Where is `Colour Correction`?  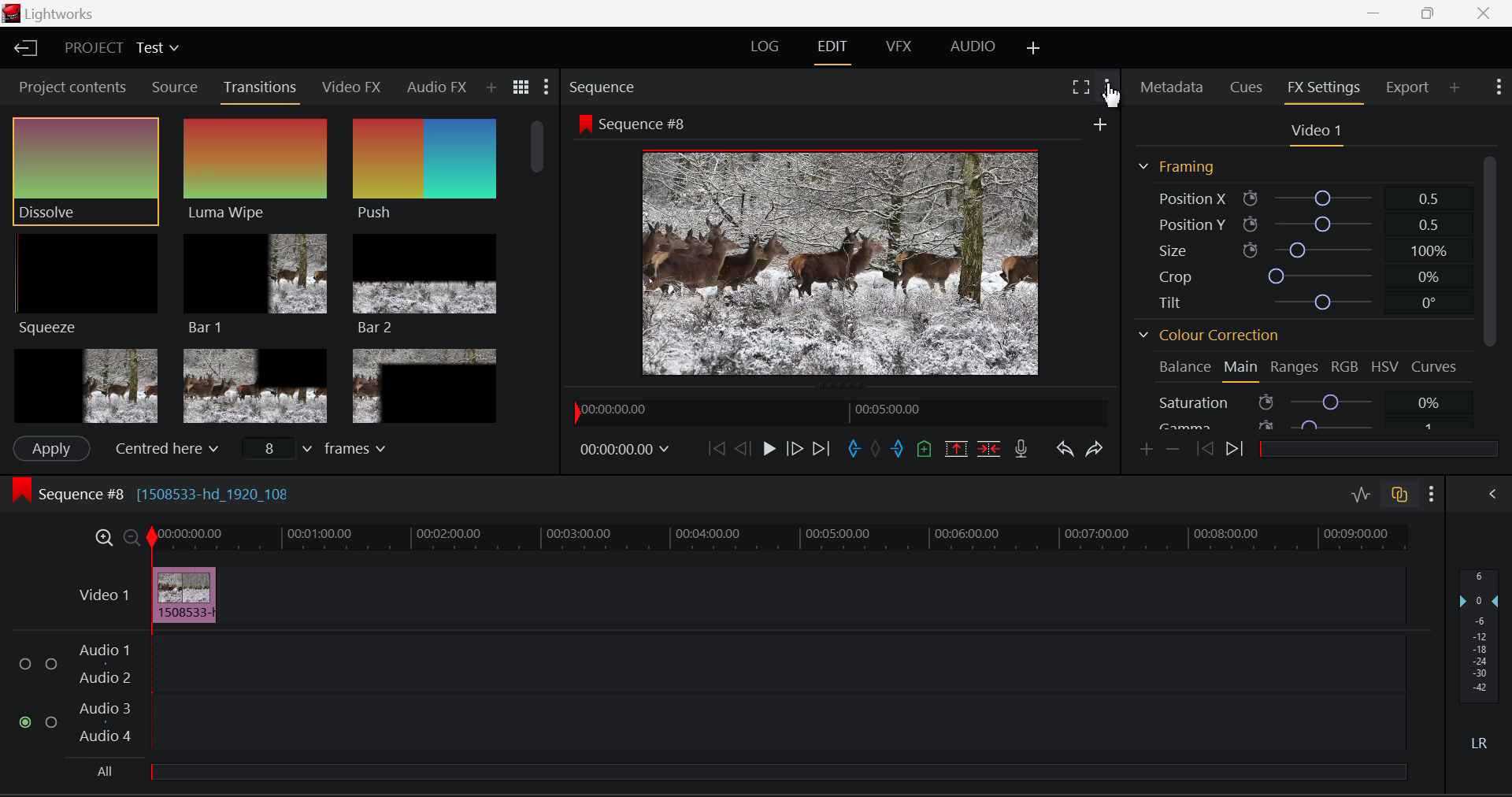
Colour Correction is located at coordinates (1206, 334).